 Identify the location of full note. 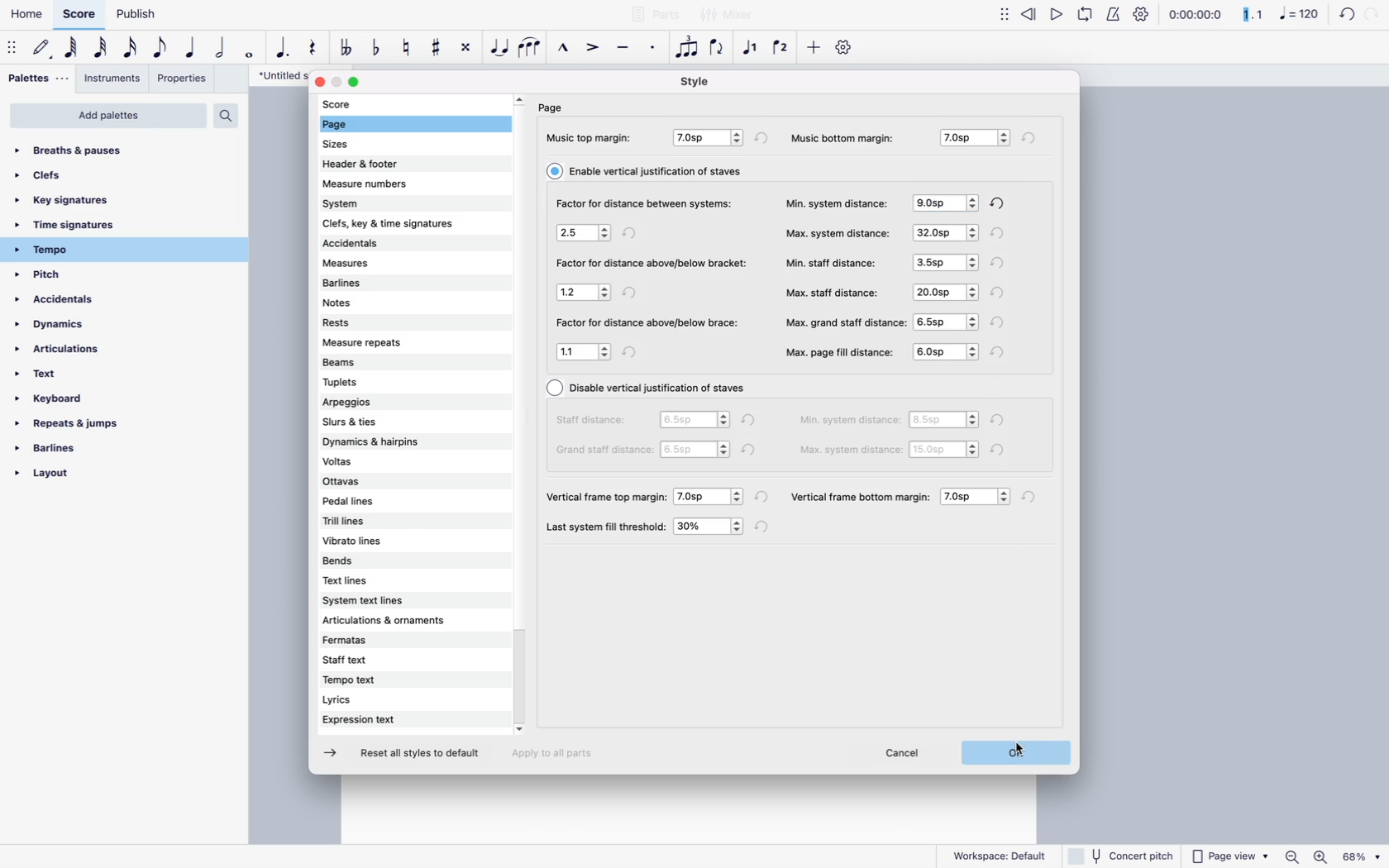
(251, 51).